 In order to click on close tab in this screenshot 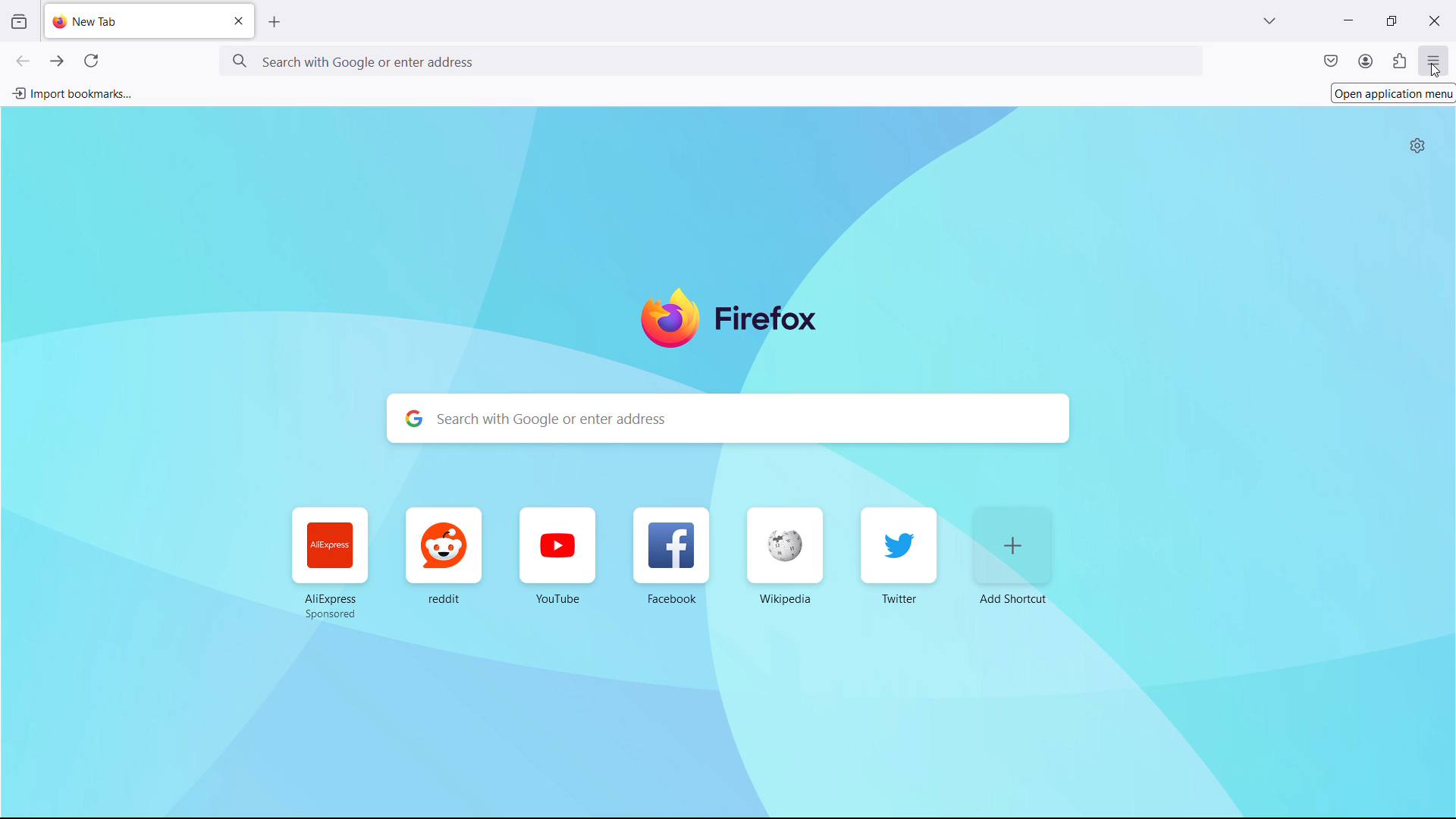, I will do `click(238, 21)`.